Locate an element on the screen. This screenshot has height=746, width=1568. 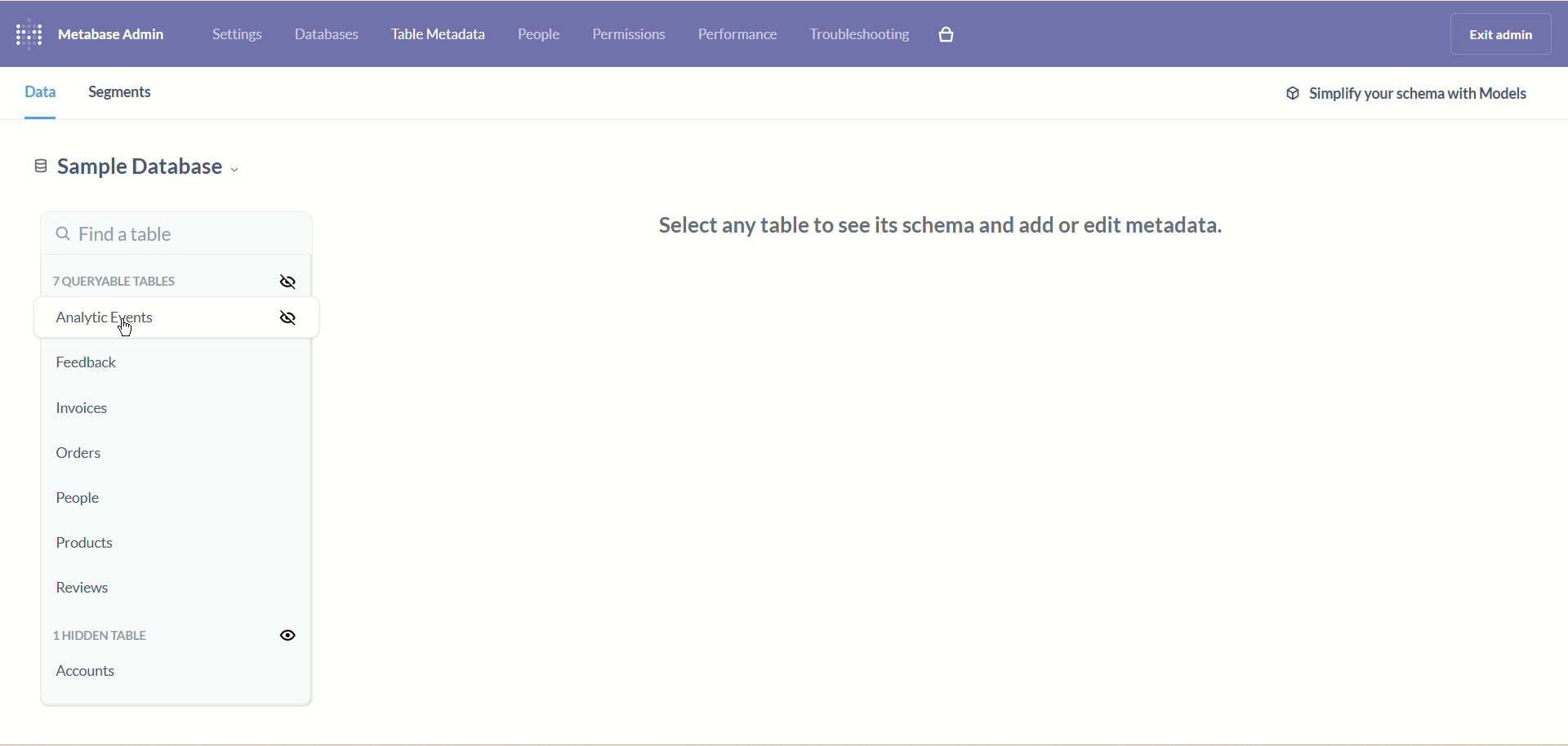
Databases is located at coordinates (331, 34).